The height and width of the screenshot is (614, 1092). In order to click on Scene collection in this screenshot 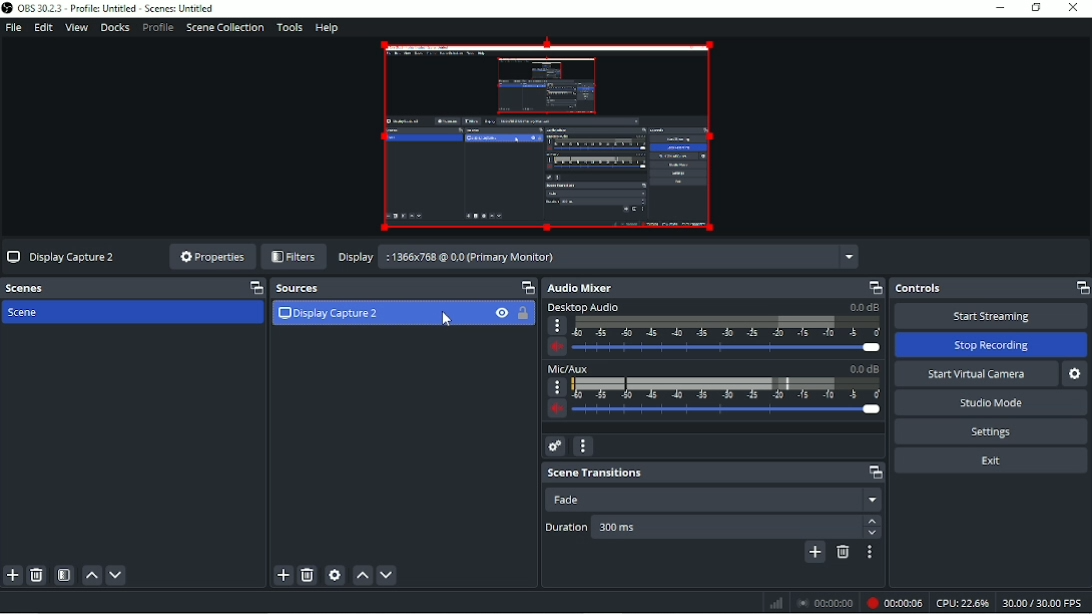, I will do `click(224, 28)`.